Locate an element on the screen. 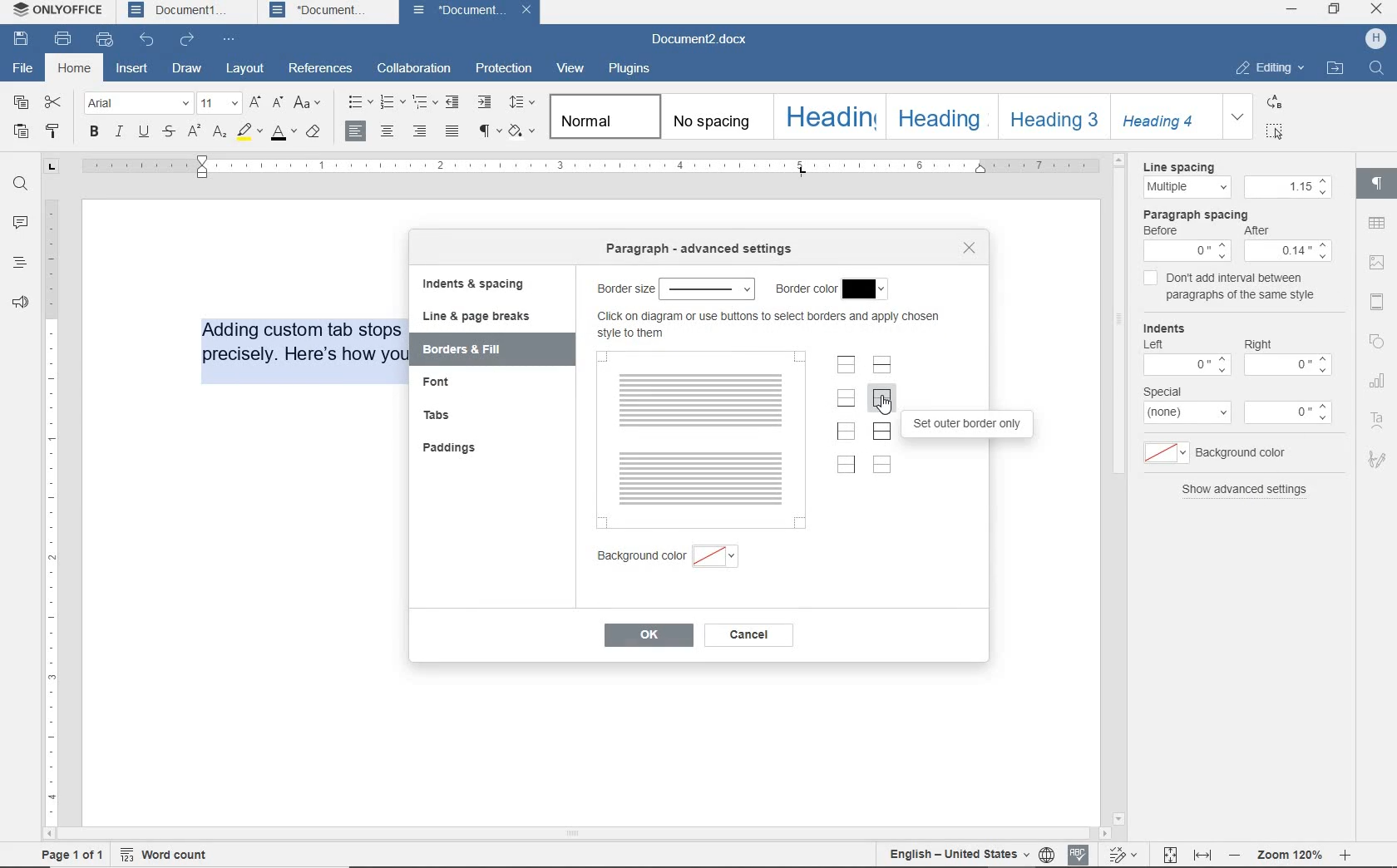 The image size is (1397, 868). indents is located at coordinates (1167, 326).